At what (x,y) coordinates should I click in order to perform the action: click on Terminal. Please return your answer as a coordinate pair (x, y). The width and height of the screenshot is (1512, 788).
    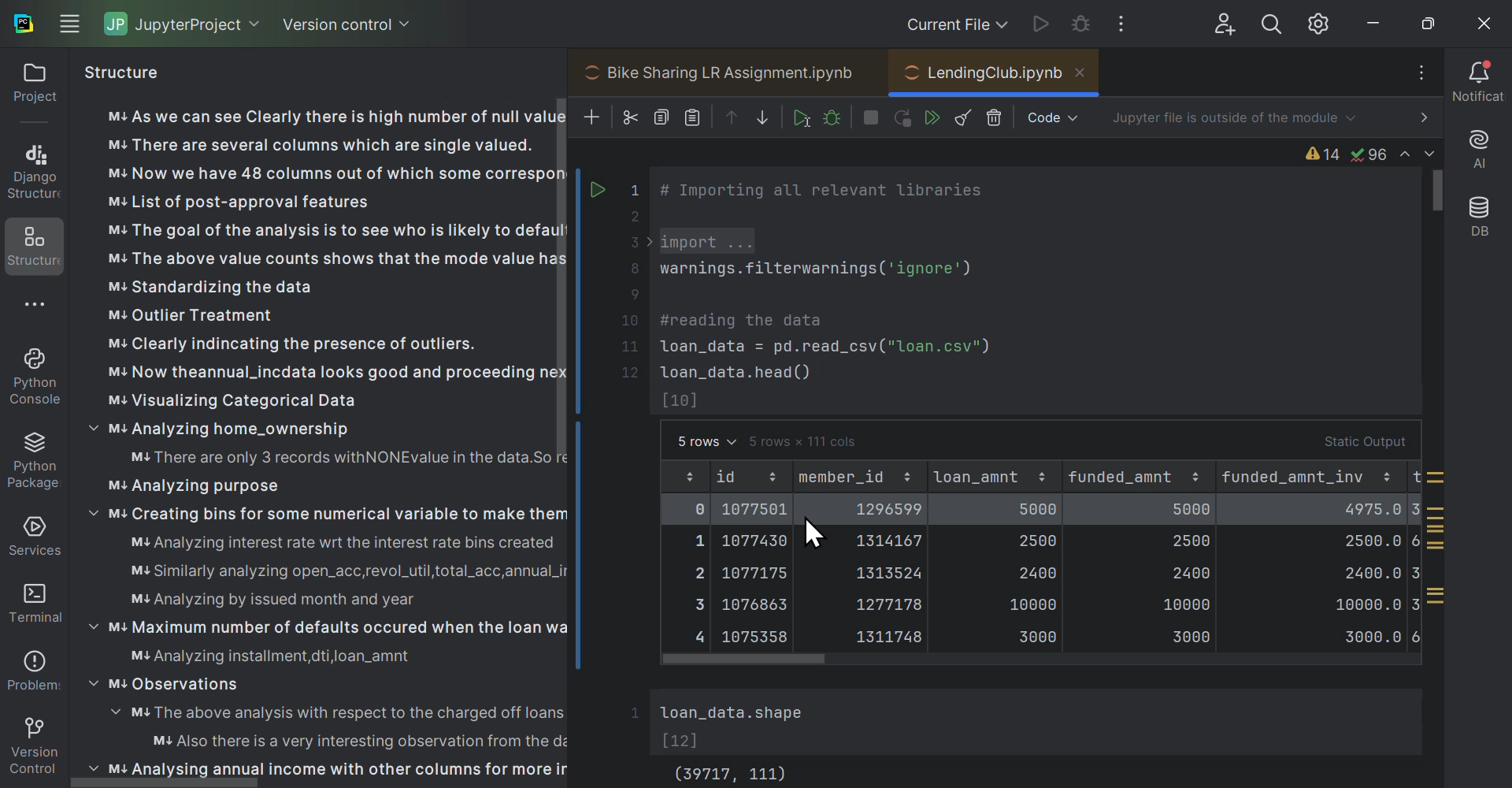
    Looking at the image, I should click on (32, 600).